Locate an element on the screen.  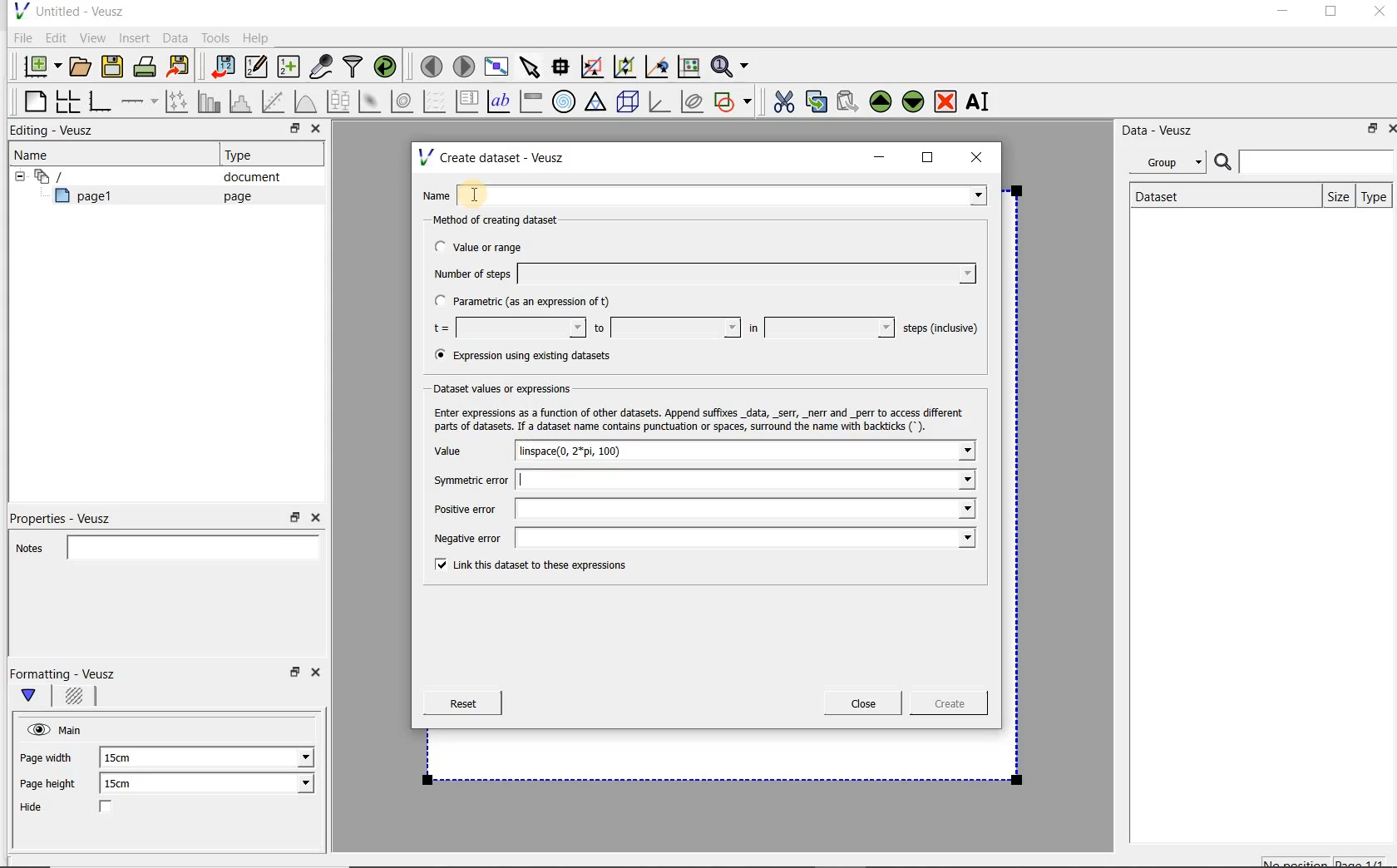
save the document is located at coordinates (116, 67).